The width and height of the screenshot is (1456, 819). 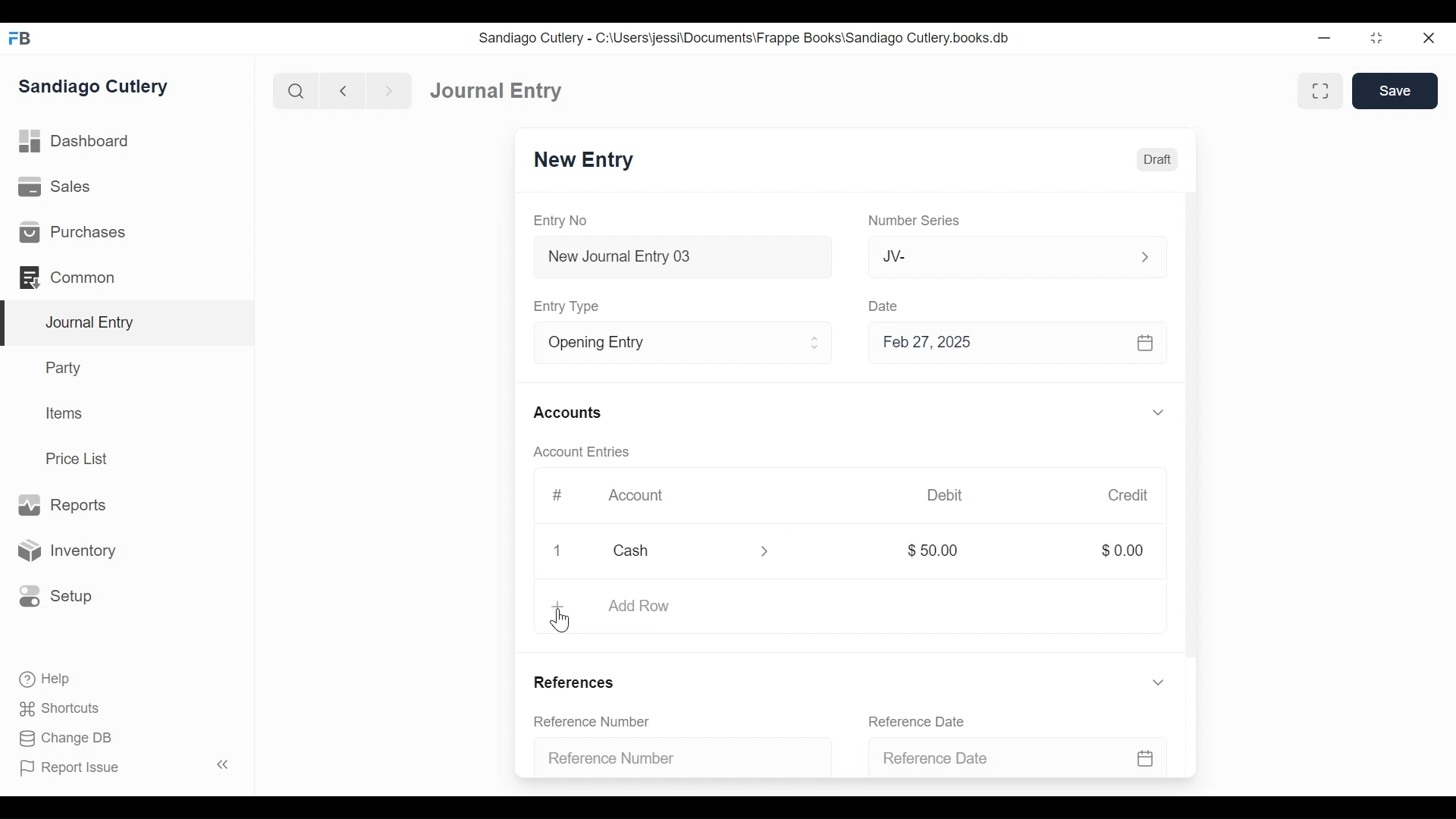 I want to click on Navigate forward, so click(x=388, y=91).